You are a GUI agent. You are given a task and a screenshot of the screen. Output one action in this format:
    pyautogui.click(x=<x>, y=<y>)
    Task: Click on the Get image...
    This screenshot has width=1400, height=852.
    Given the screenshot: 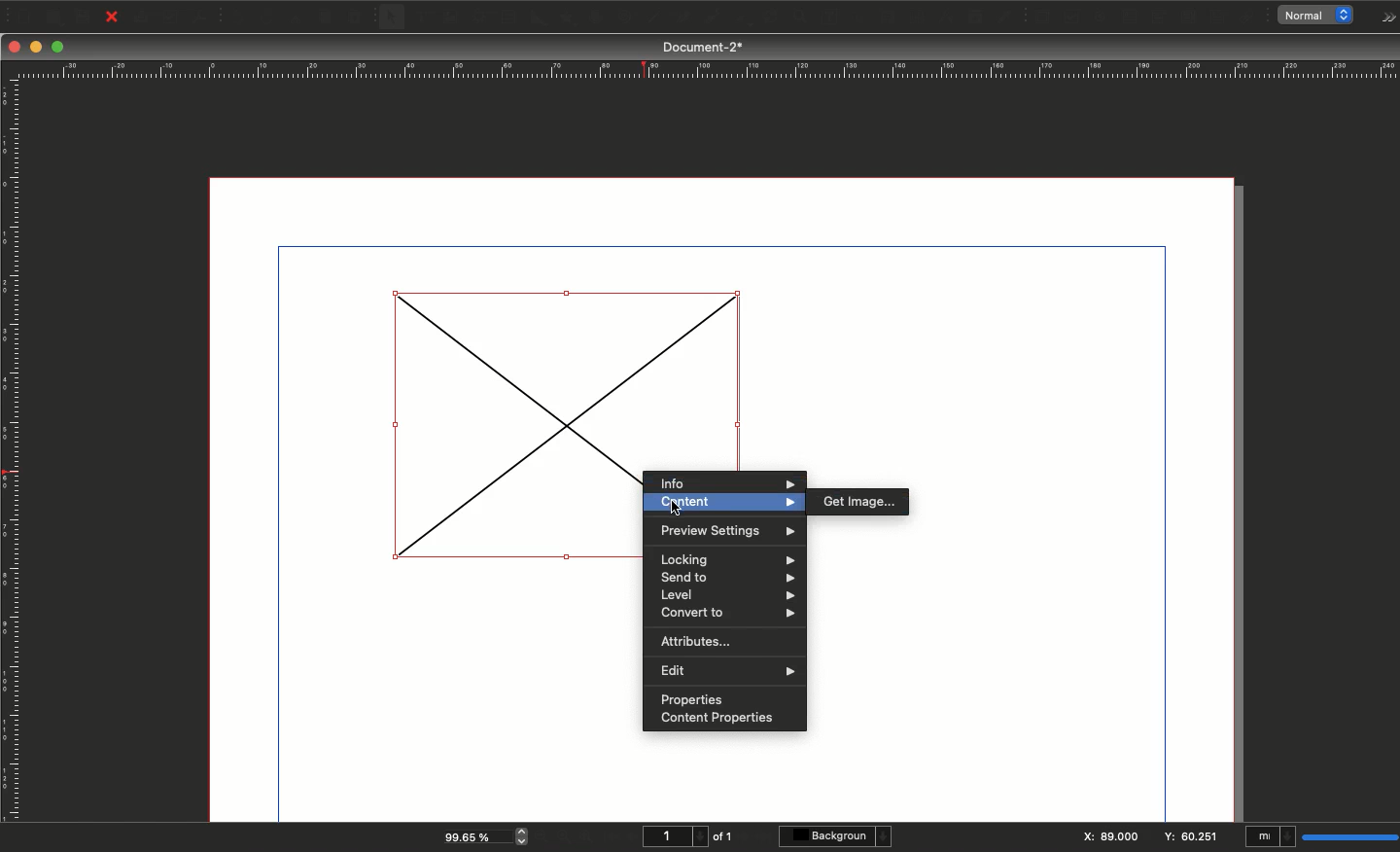 What is the action you would take?
    pyautogui.click(x=864, y=503)
    